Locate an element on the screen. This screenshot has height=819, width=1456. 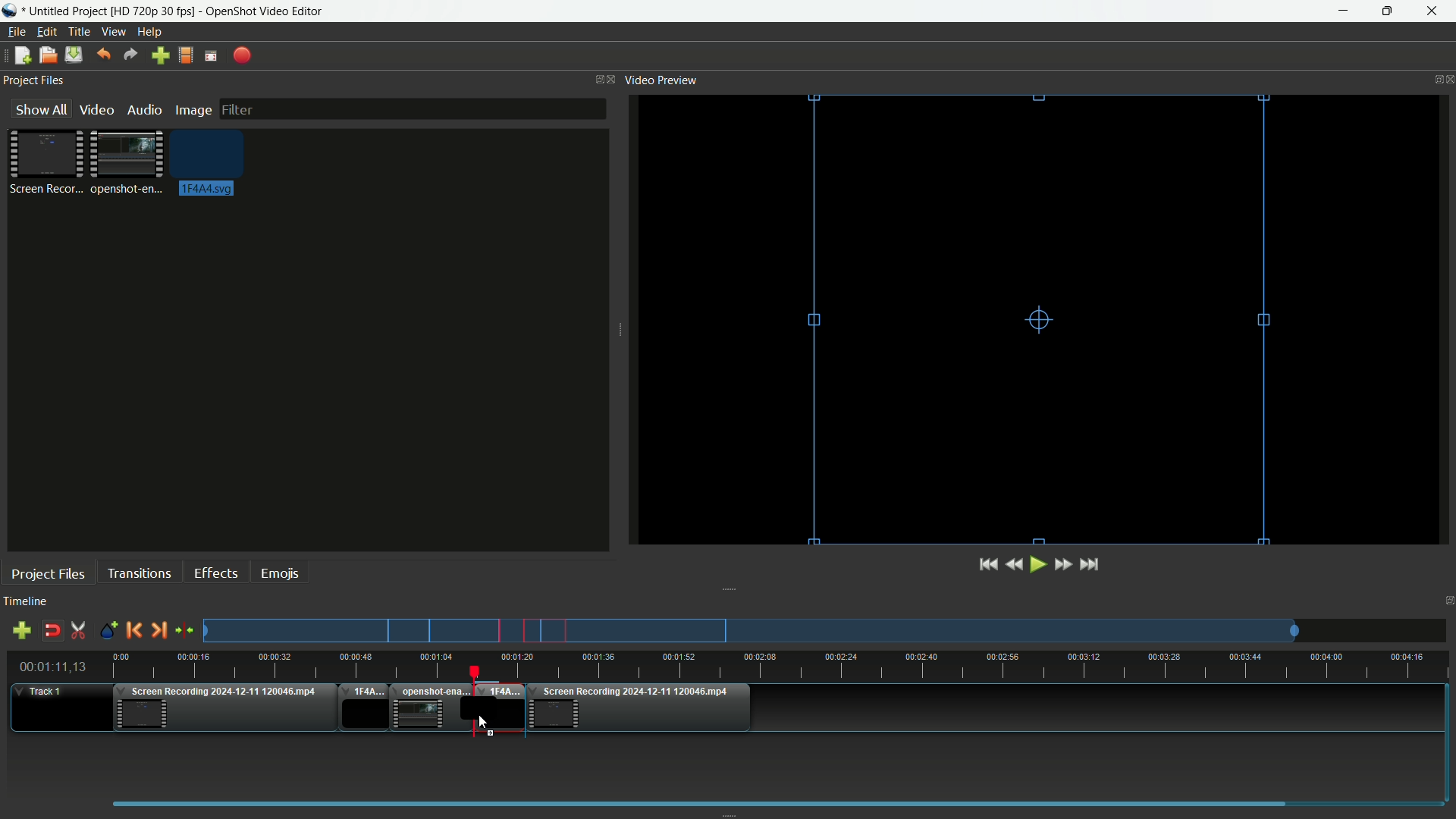
Video three in timeline is located at coordinates (642, 708).